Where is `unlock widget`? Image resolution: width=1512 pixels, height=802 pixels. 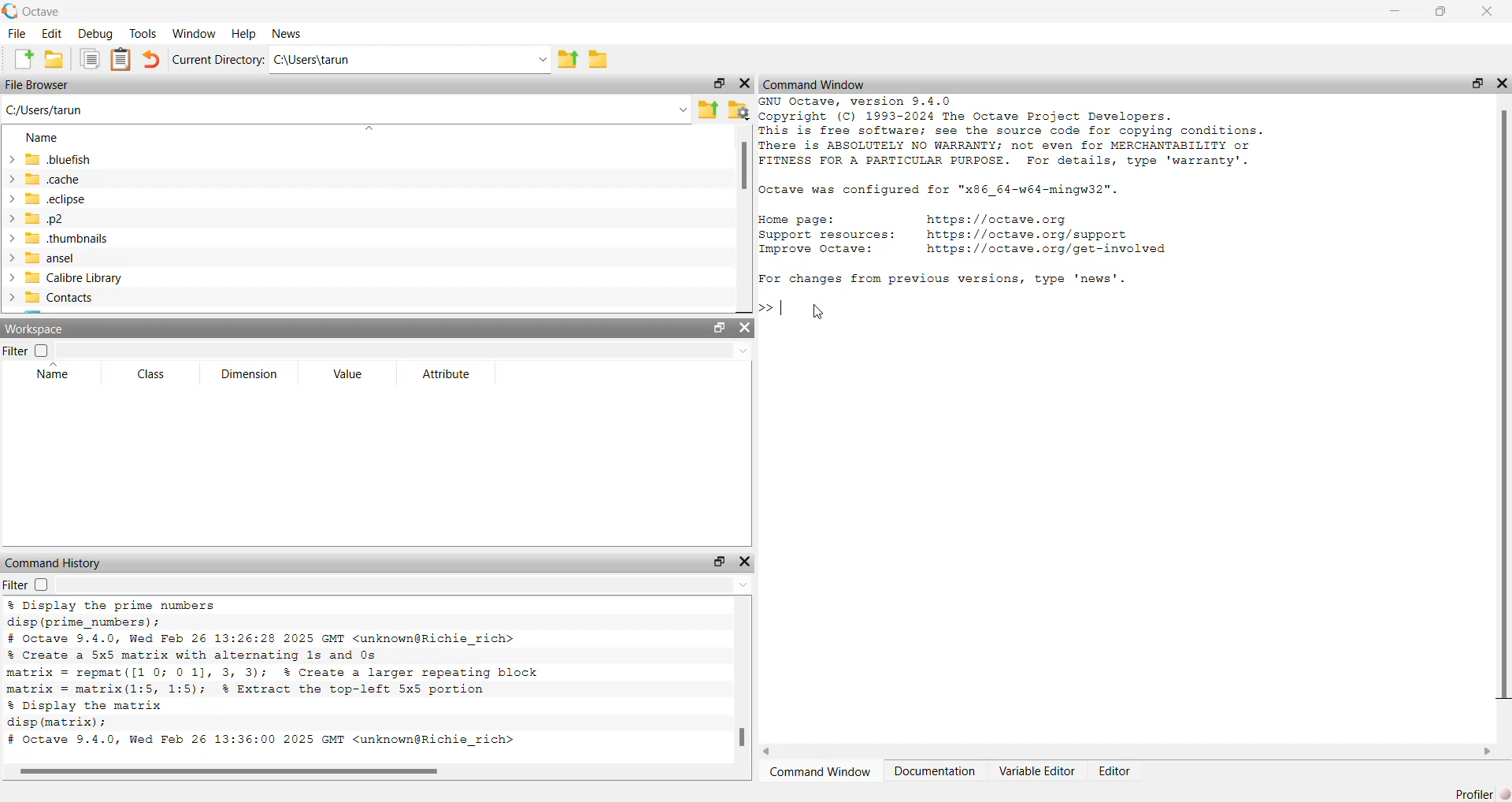
unlock widget is located at coordinates (1479, 83).